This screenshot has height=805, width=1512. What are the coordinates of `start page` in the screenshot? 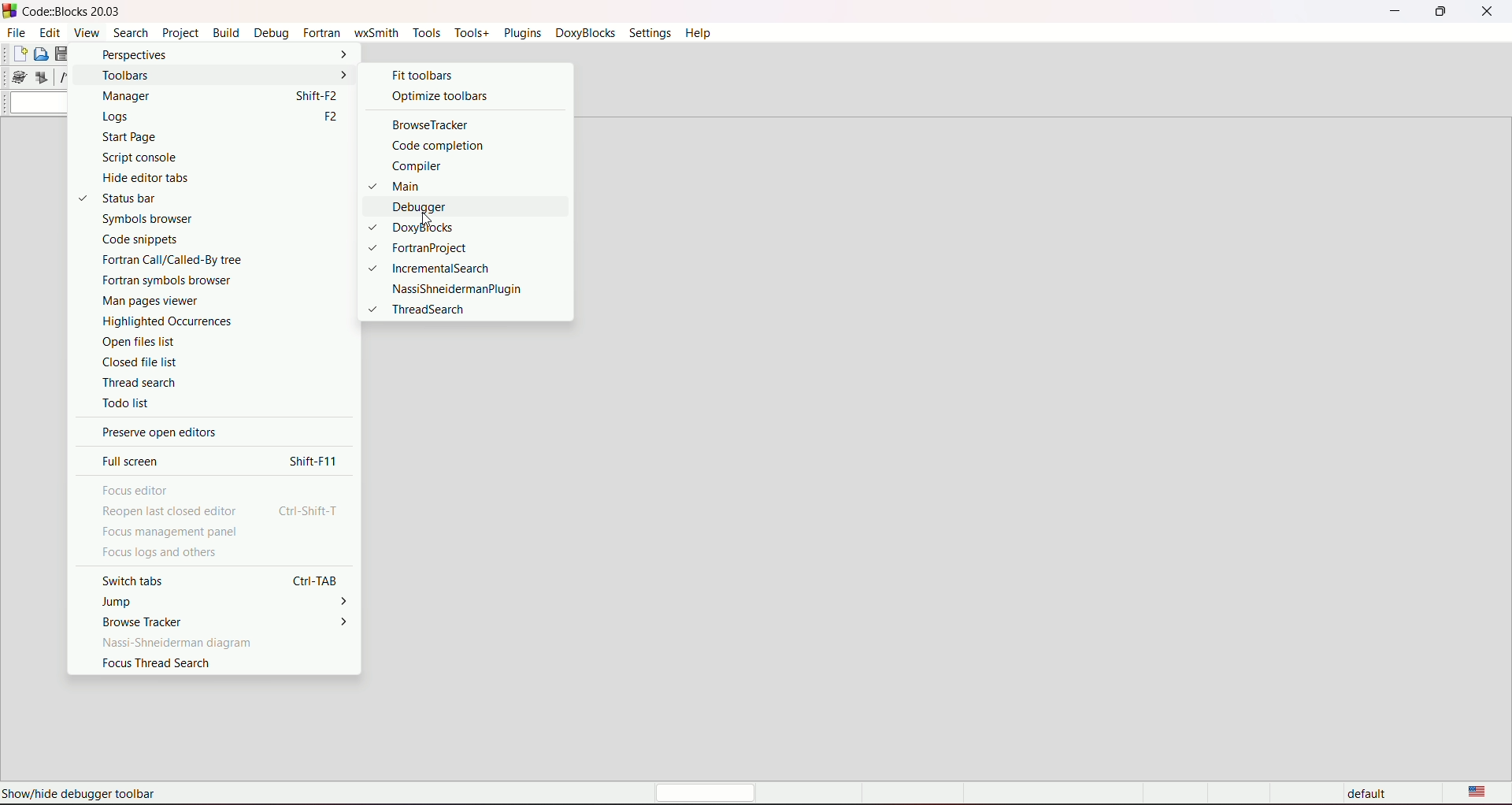 It's located at (196, 137).